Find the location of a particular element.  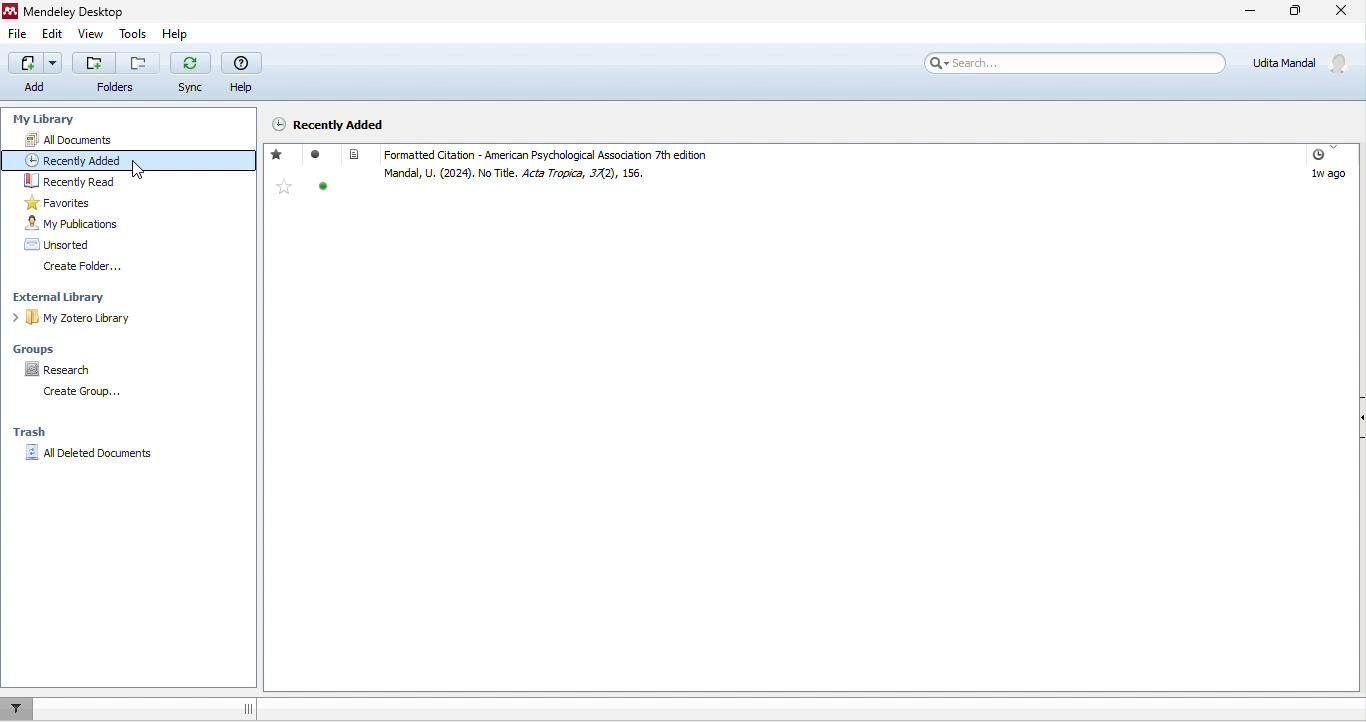

all documents is located at coordinates (73, 141).